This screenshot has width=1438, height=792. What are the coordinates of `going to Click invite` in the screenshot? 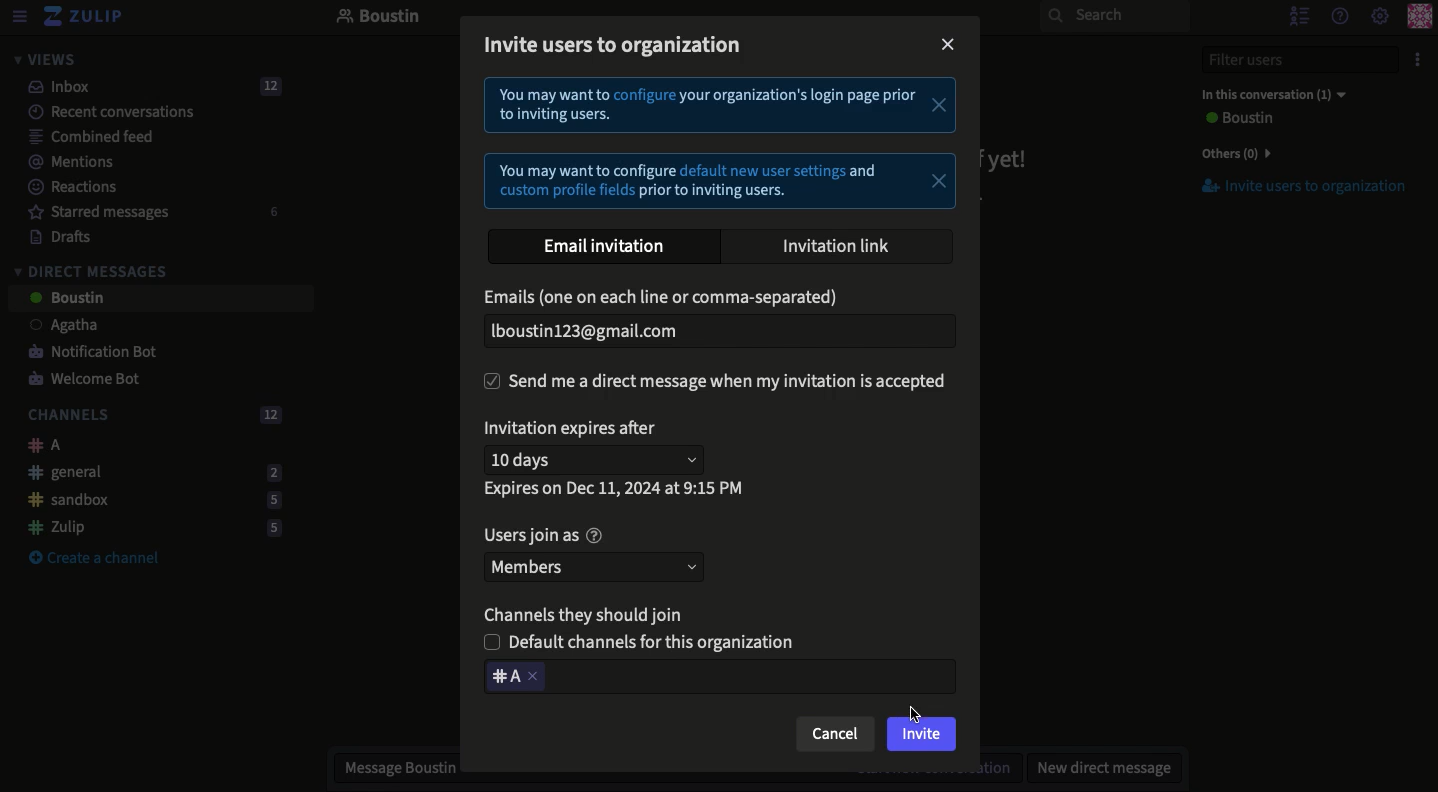 It's located at (920, 733).